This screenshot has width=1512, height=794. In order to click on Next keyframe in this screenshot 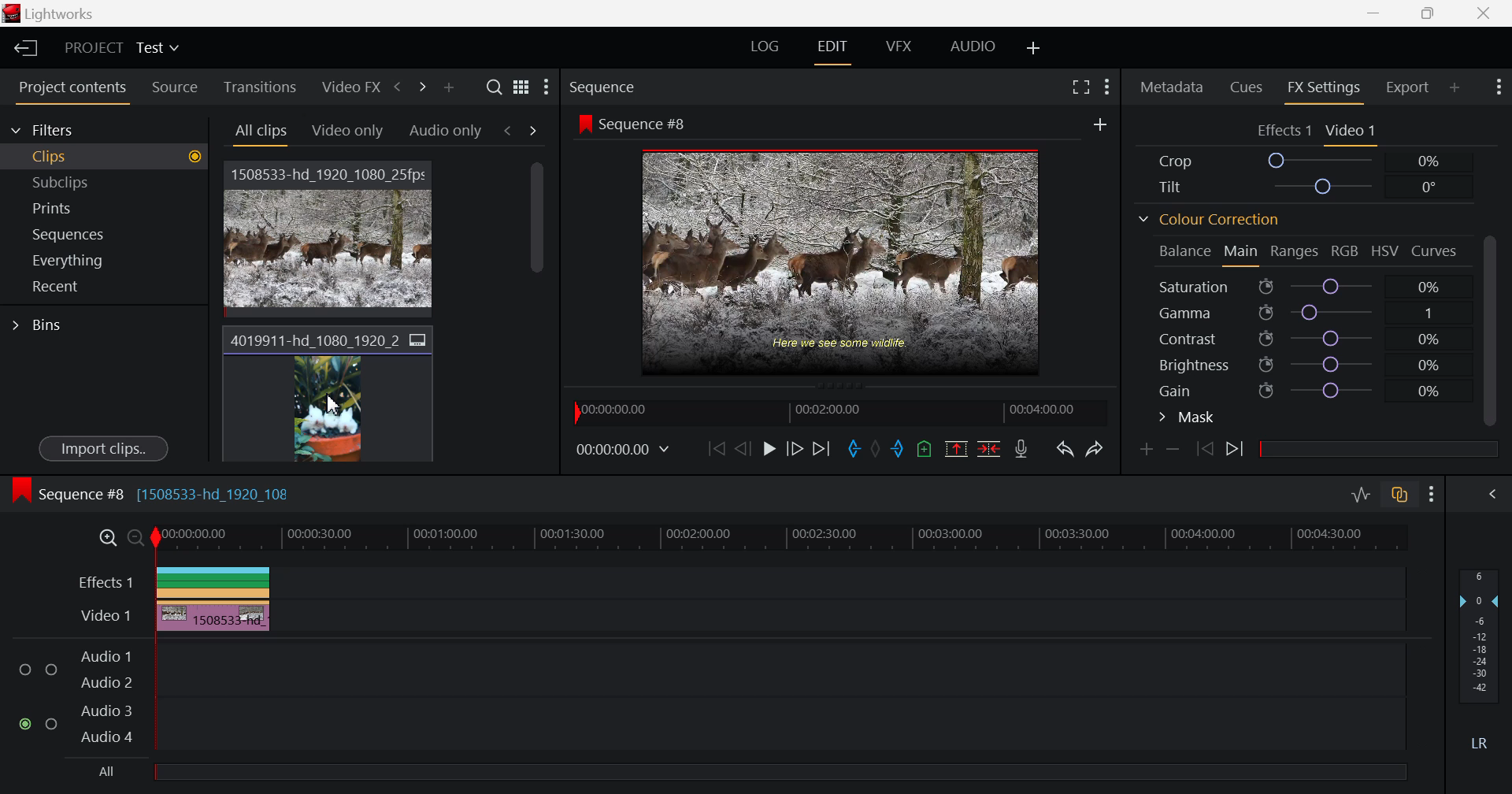, I will do `click(1235, 449)`.